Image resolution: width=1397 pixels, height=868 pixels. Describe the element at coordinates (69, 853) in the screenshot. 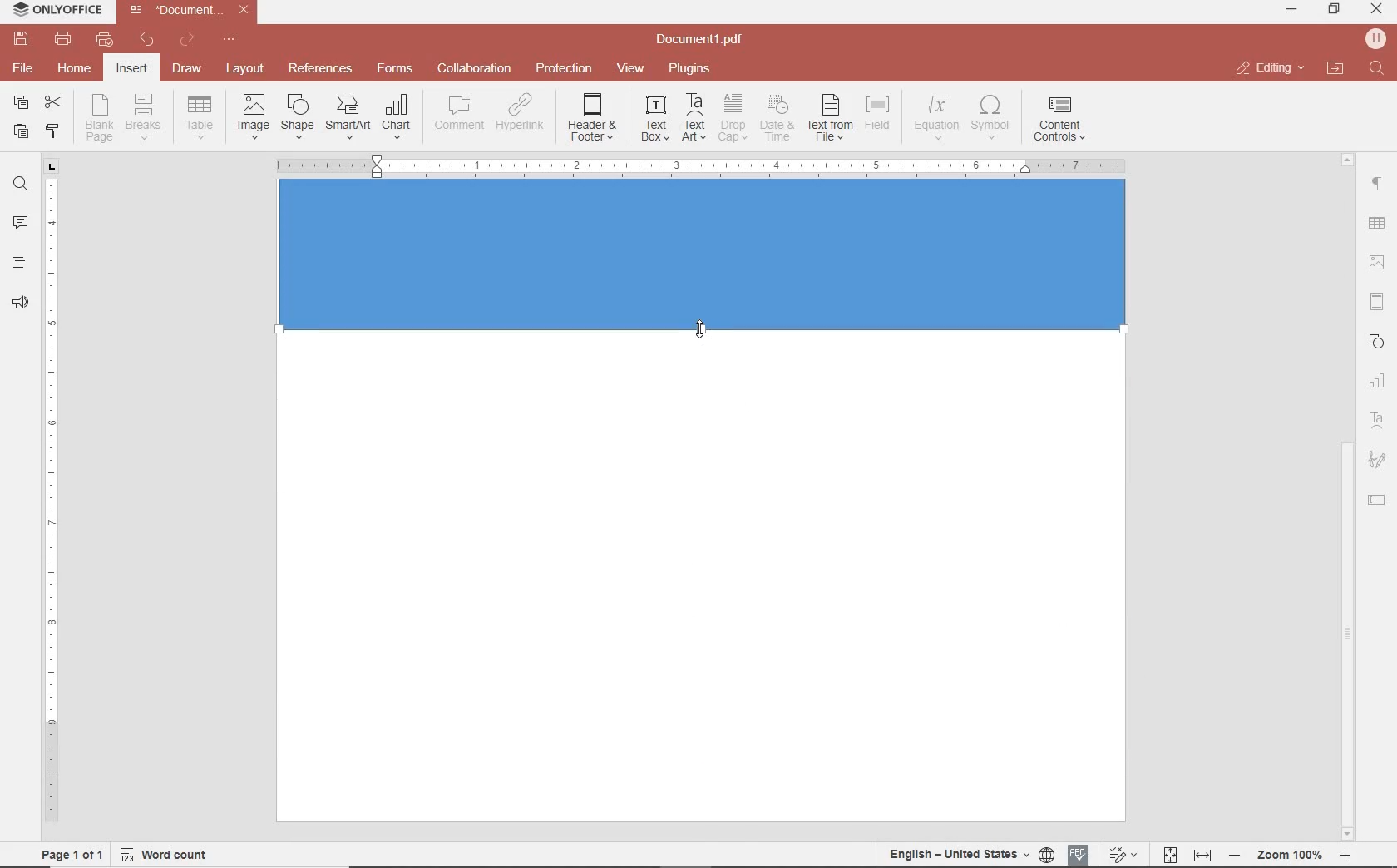

I see `page 1 of 1` at that location.